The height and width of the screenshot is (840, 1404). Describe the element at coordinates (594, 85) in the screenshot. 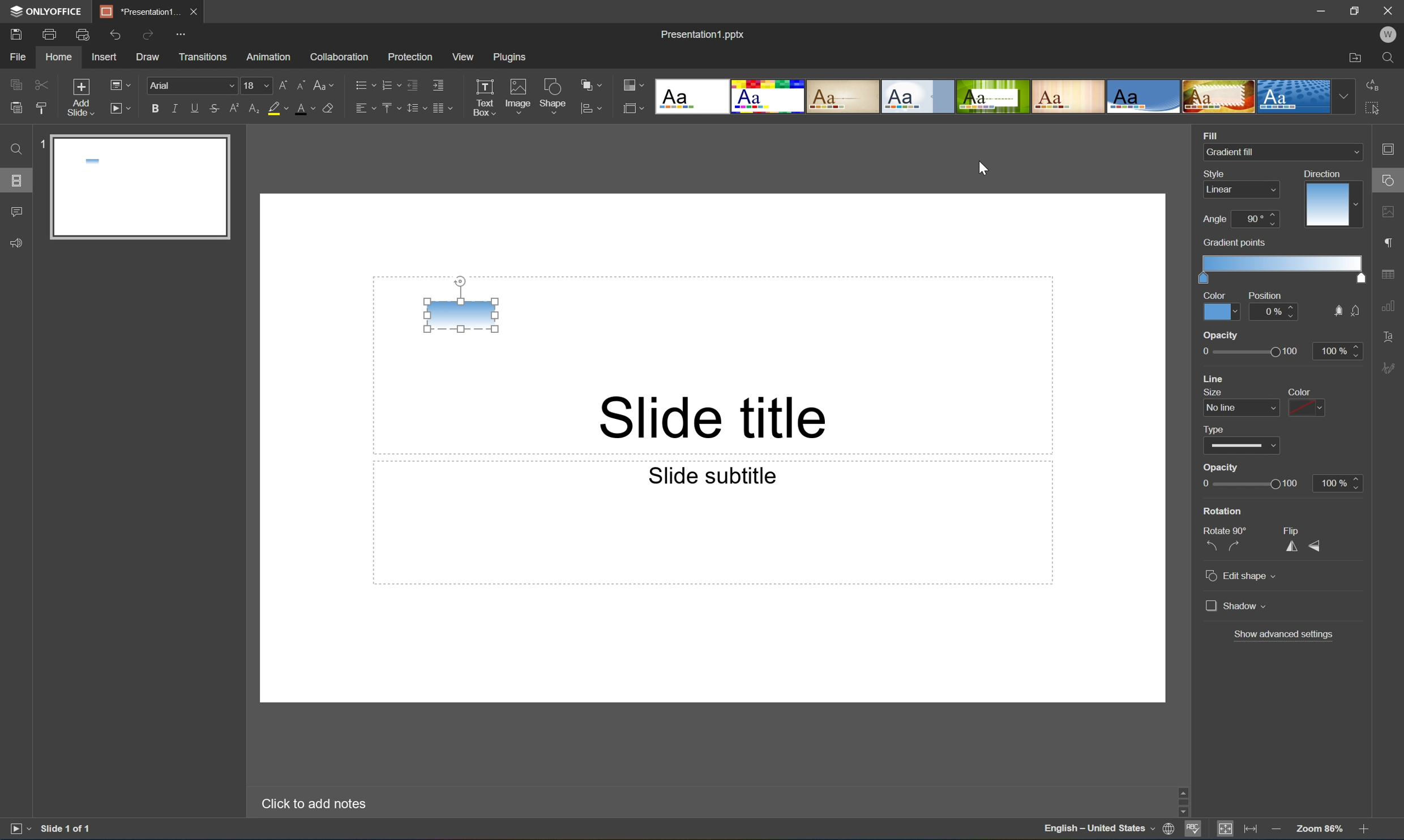

I see `Arrange shape` at that location.